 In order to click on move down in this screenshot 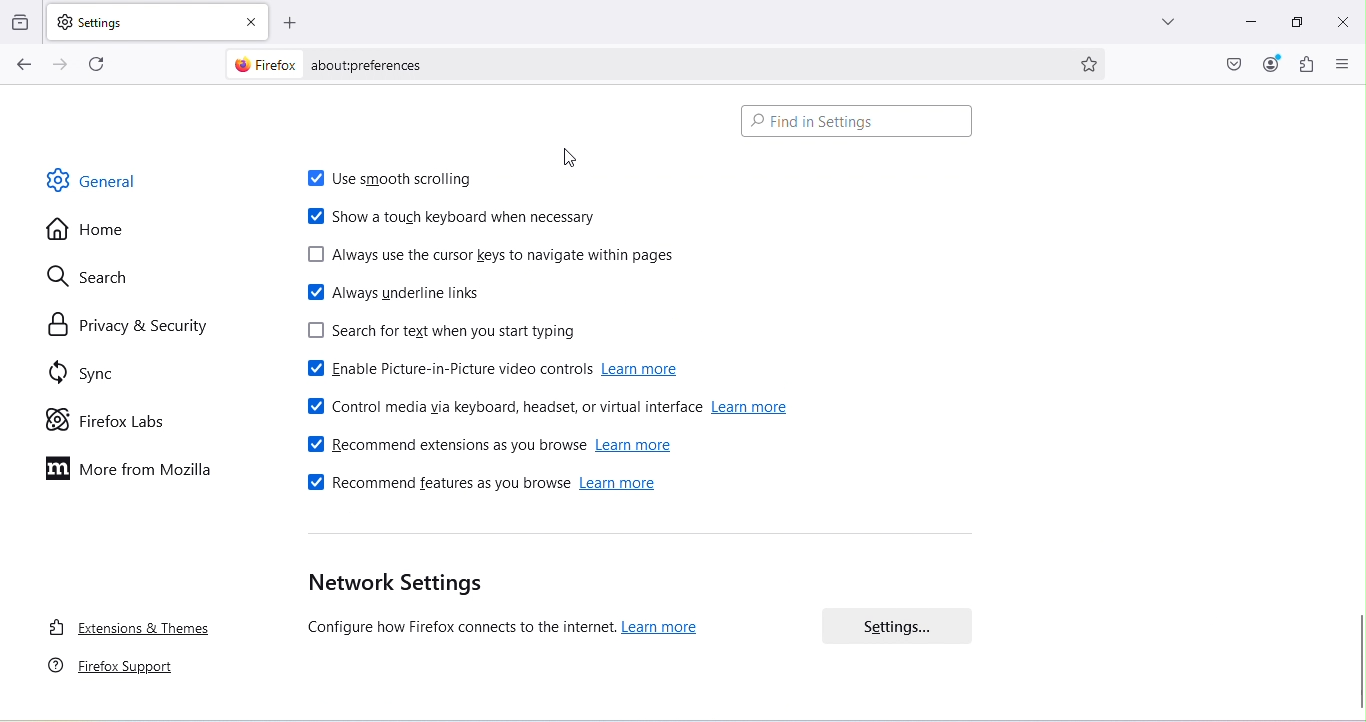, I will do `click(1357, 715)`.